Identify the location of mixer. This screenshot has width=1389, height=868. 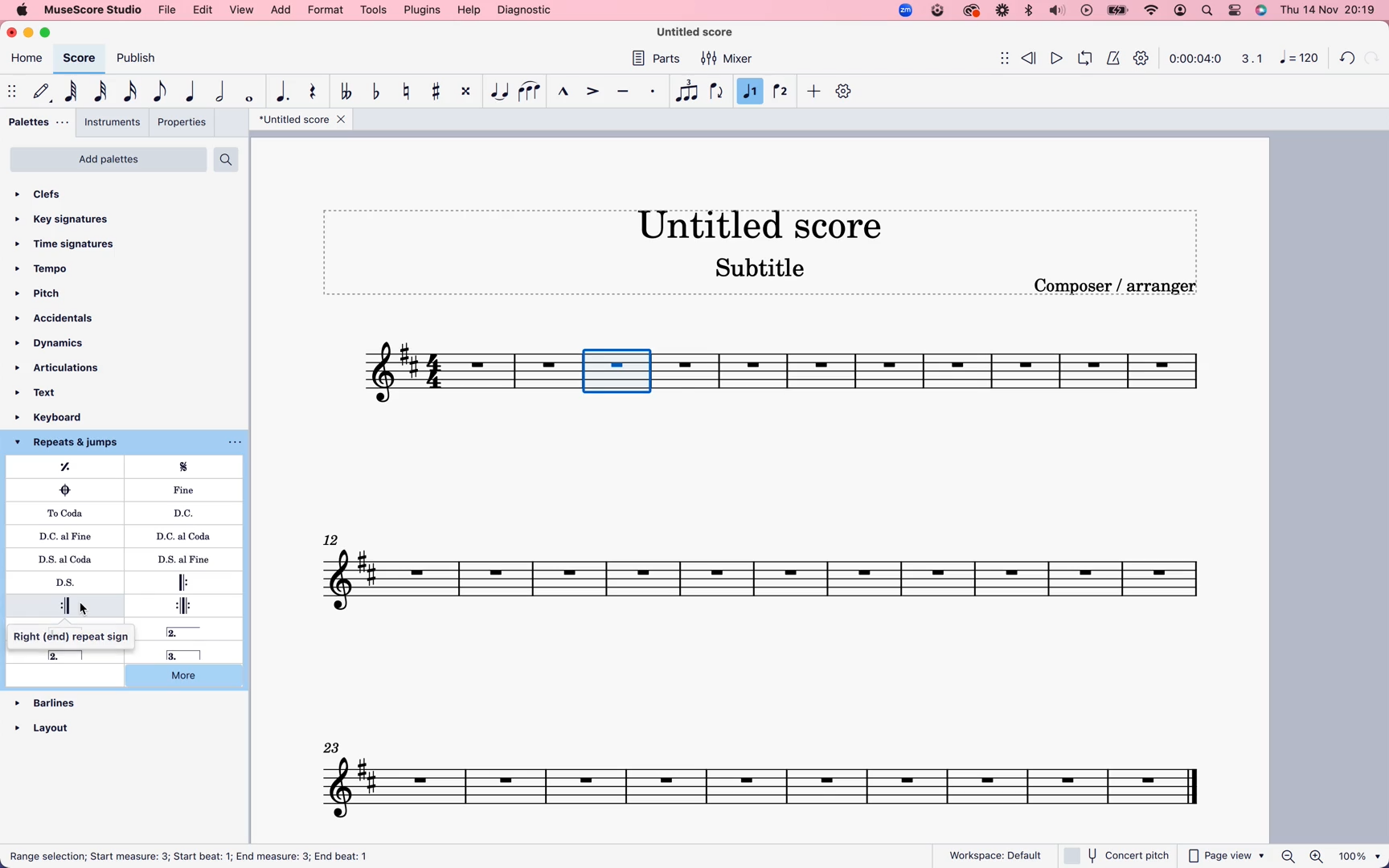
(727, 59).